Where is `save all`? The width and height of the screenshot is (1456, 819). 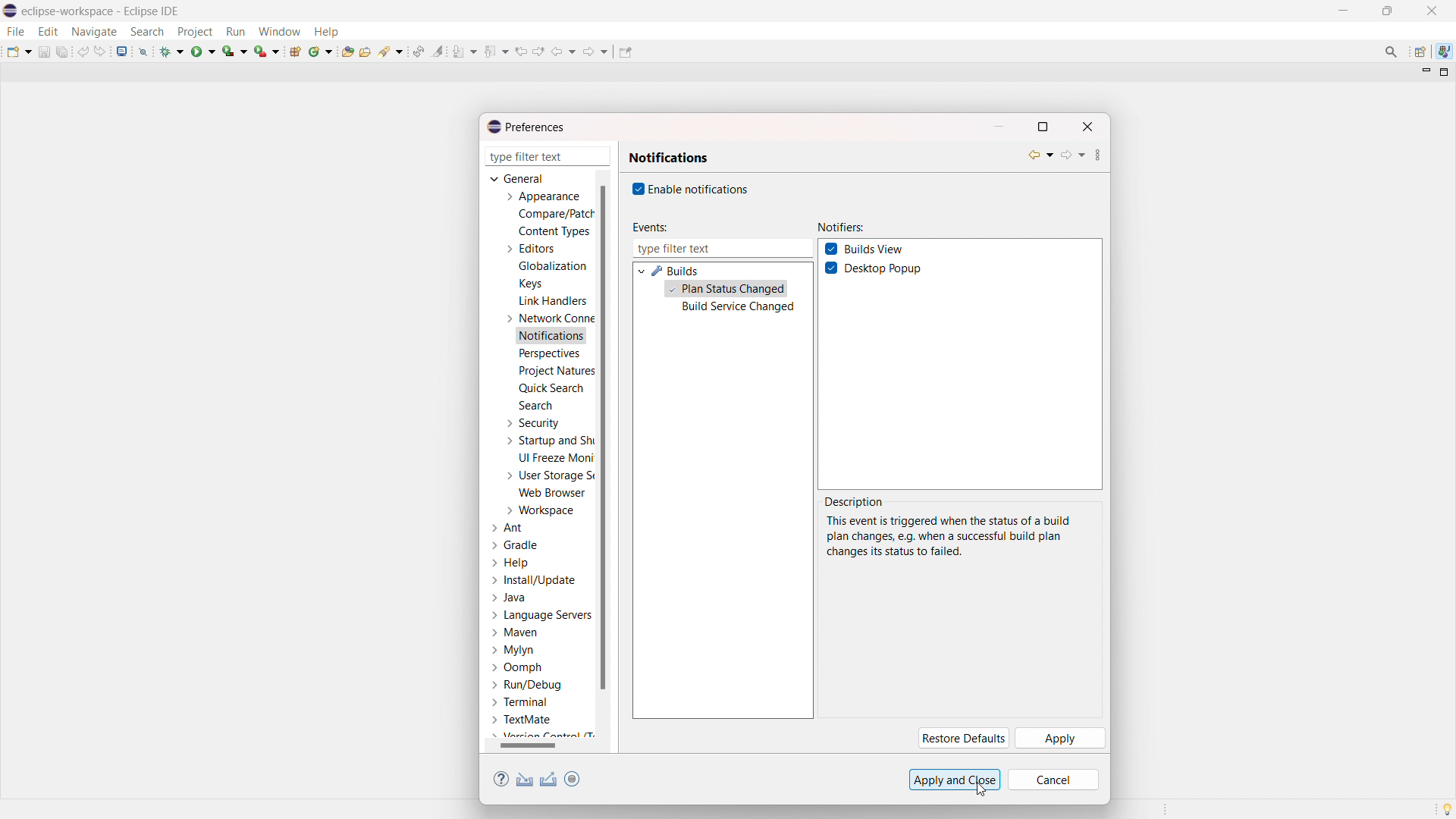
save all is located at coordinates (64, 51).